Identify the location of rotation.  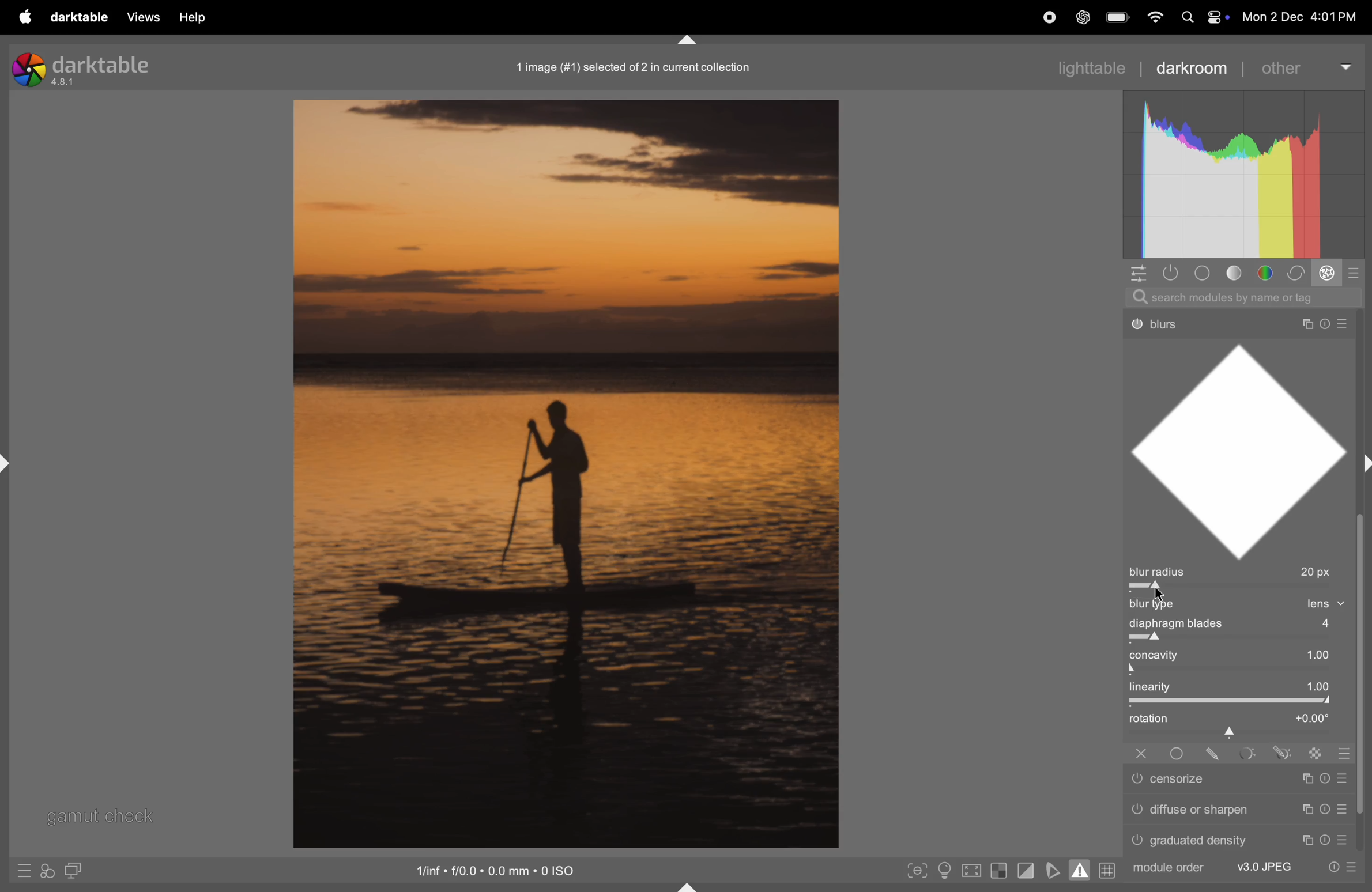
(1238, 723).